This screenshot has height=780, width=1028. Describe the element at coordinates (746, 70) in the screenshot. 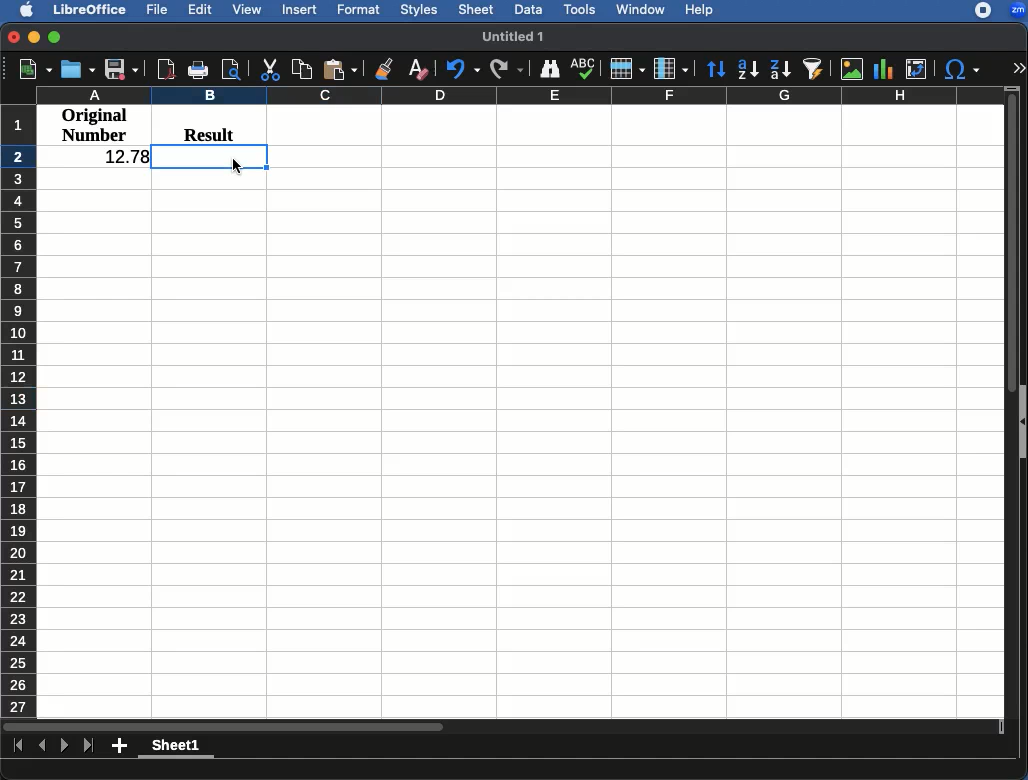

I see `Ascending` at that location.